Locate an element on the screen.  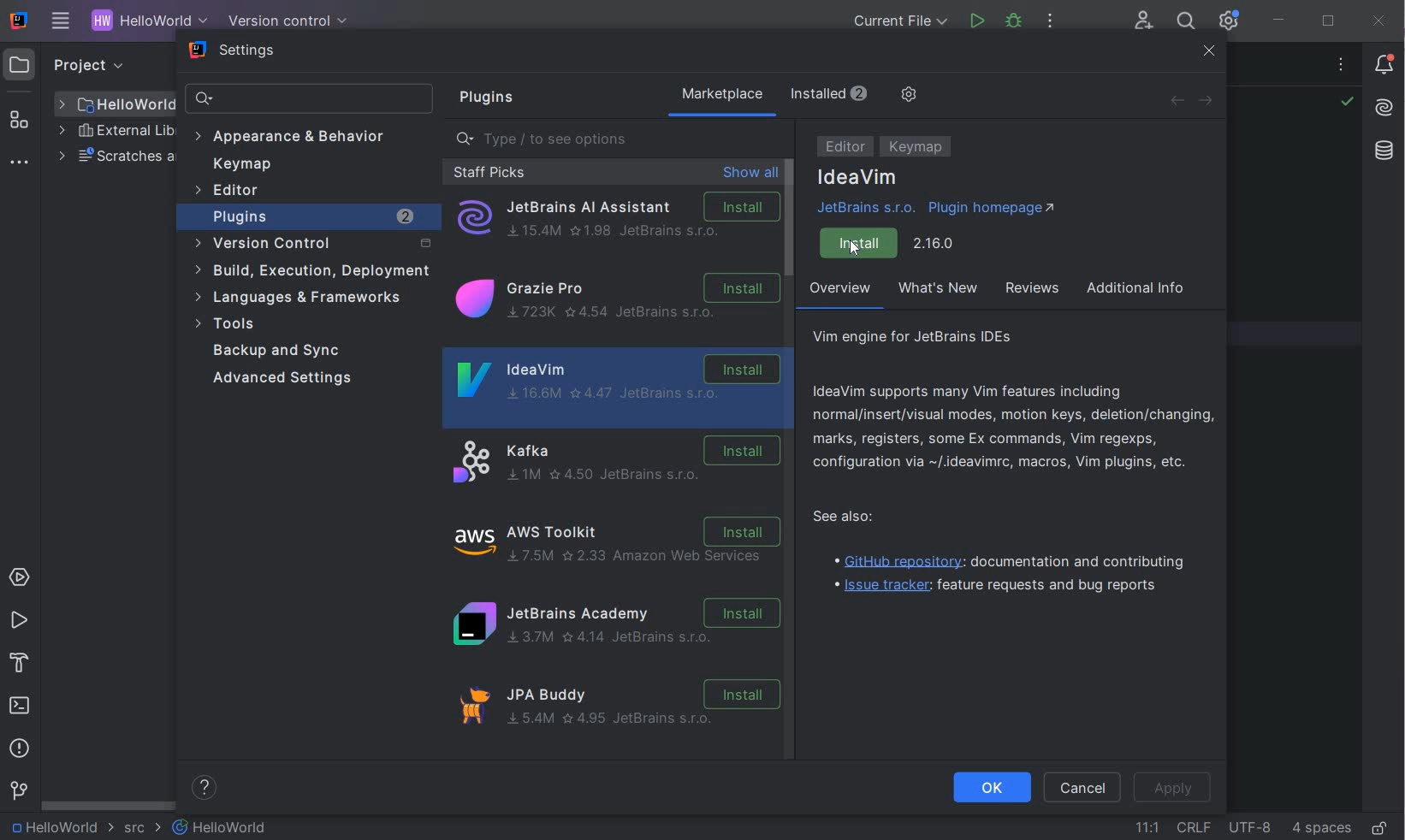
MAKE FILE READY ONLY is located at coordinates (1379, 829).